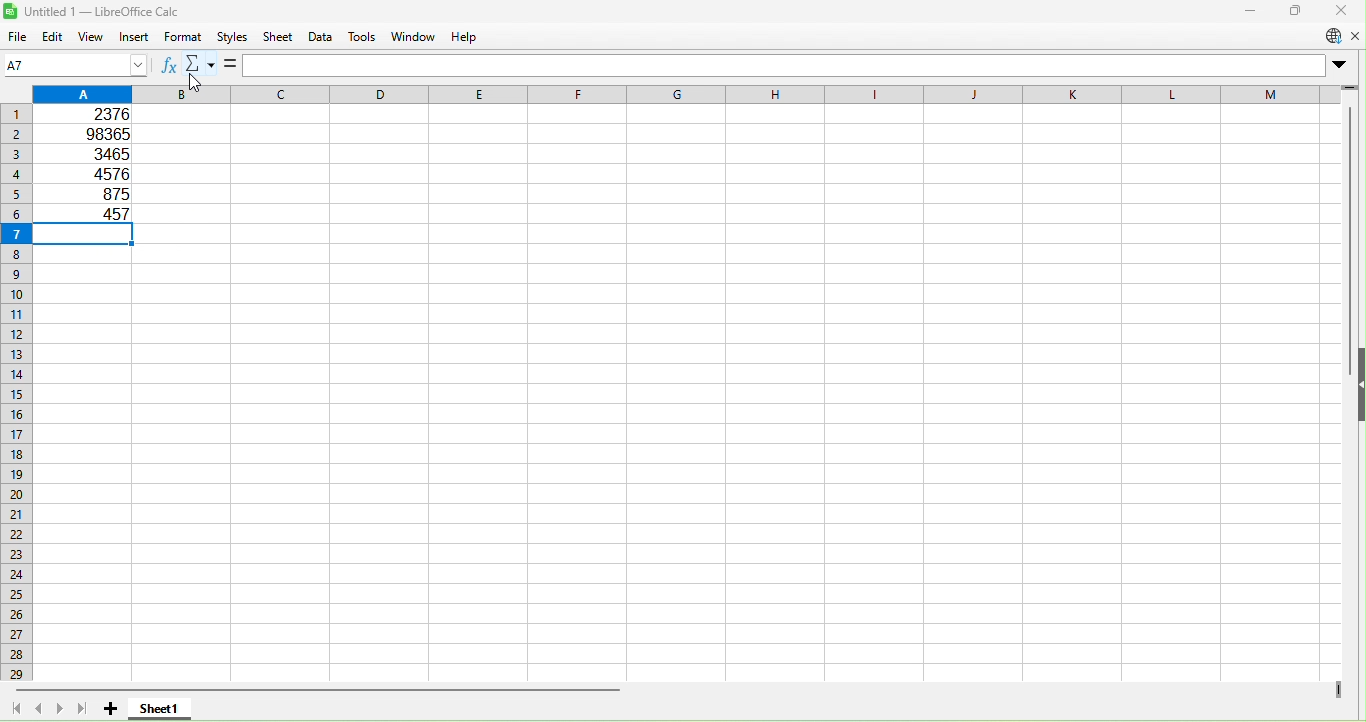 This screenshot has height=722, width=1366. Describe the element at coordinates (41, 63) in the screenshot. I see `Cell name A7` at that location.